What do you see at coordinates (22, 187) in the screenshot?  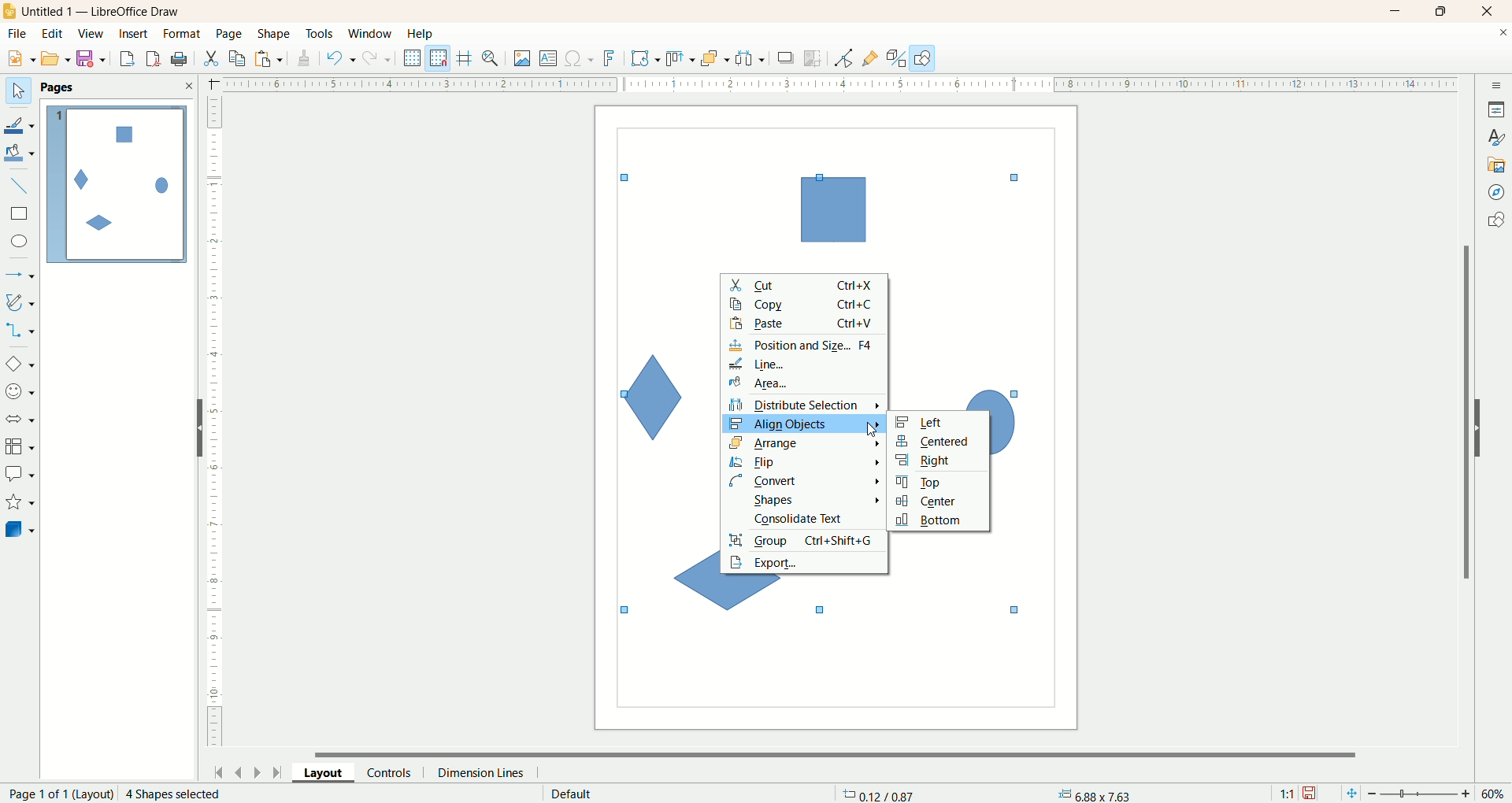 I see `insert line` at bounding box center [22, 187].